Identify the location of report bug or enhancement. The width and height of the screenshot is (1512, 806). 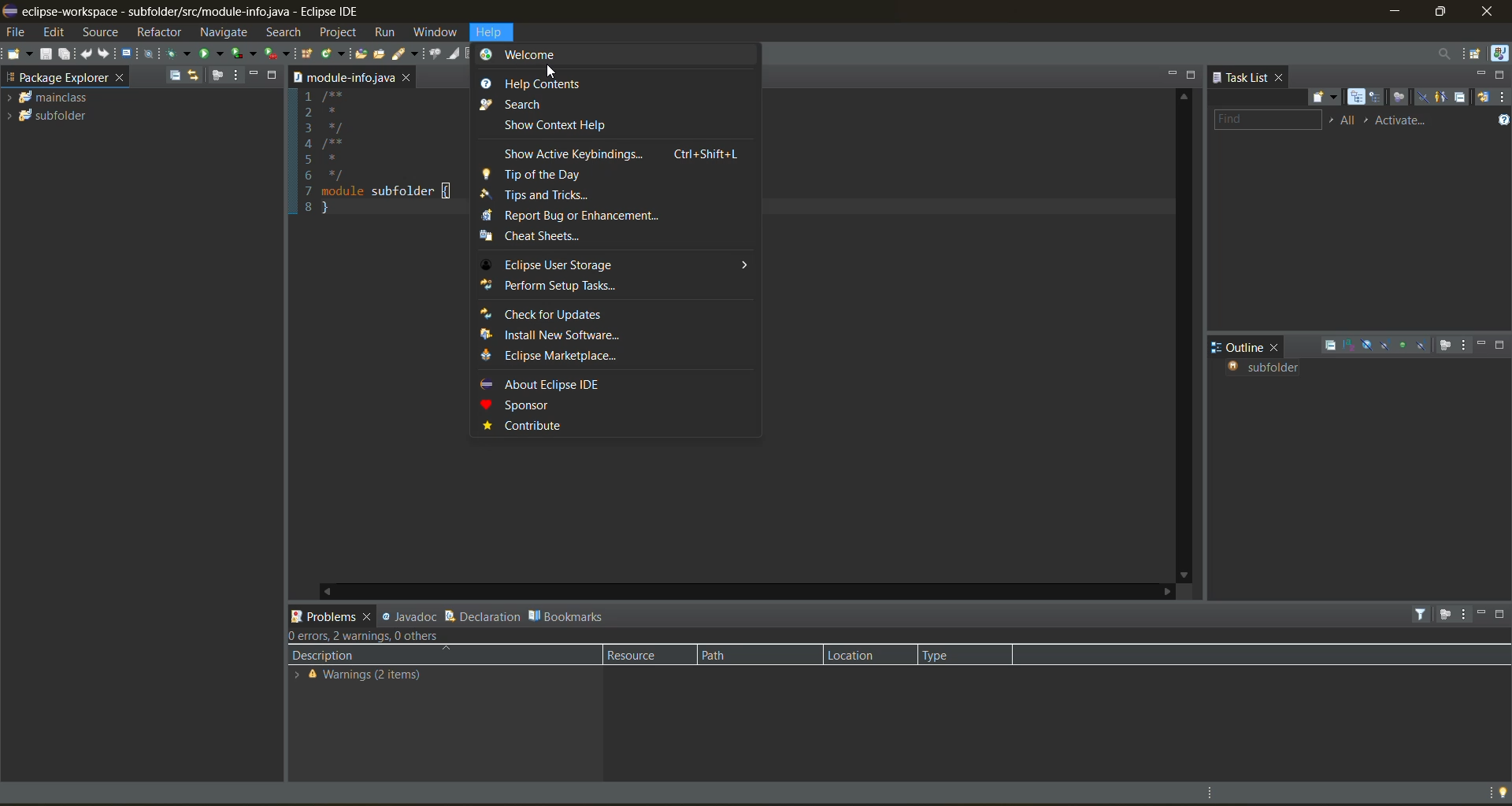
(585, 216).